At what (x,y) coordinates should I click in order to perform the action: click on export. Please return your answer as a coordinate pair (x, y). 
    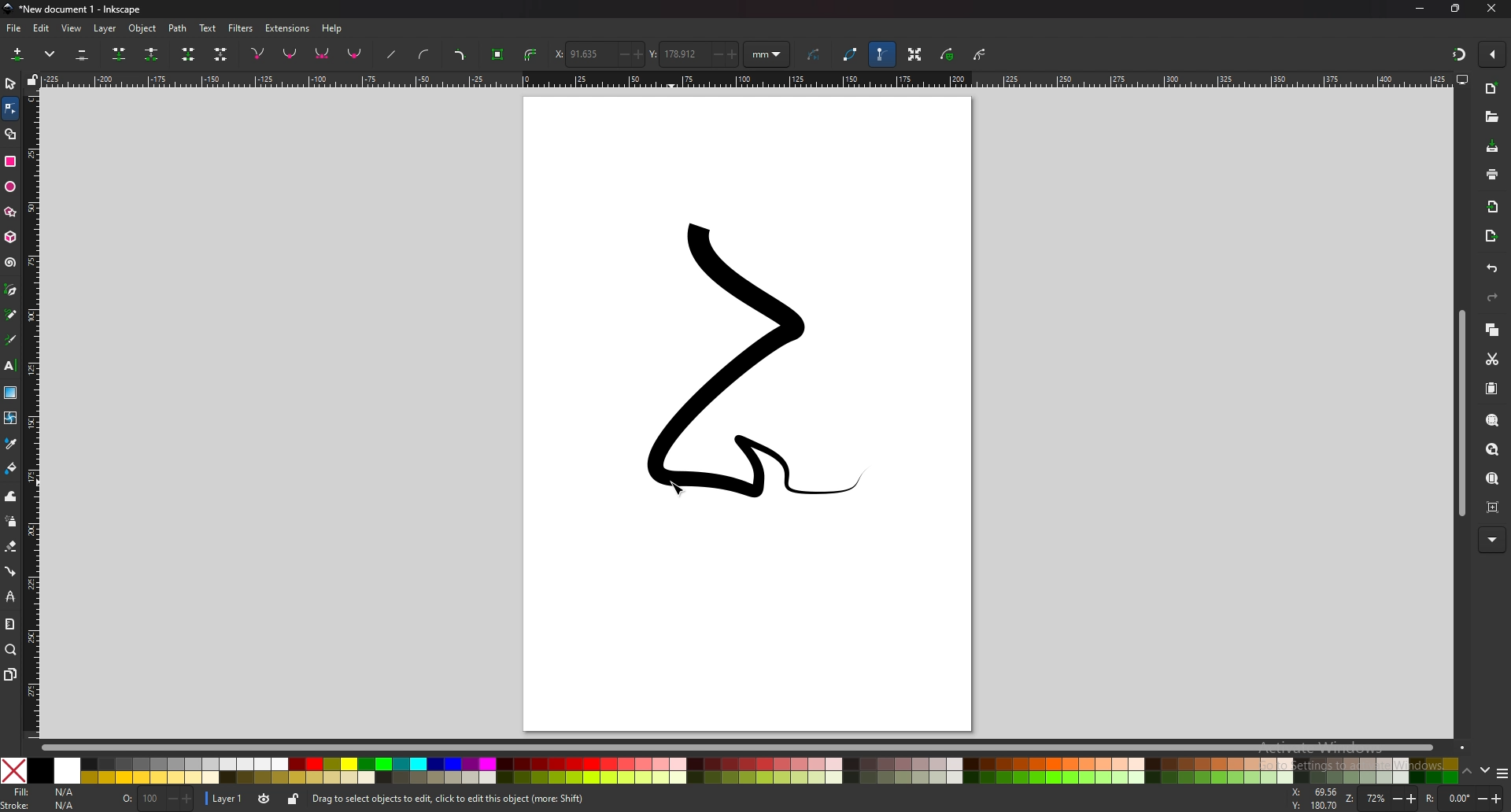
    Looking at the image, I should click on (1491, 235).